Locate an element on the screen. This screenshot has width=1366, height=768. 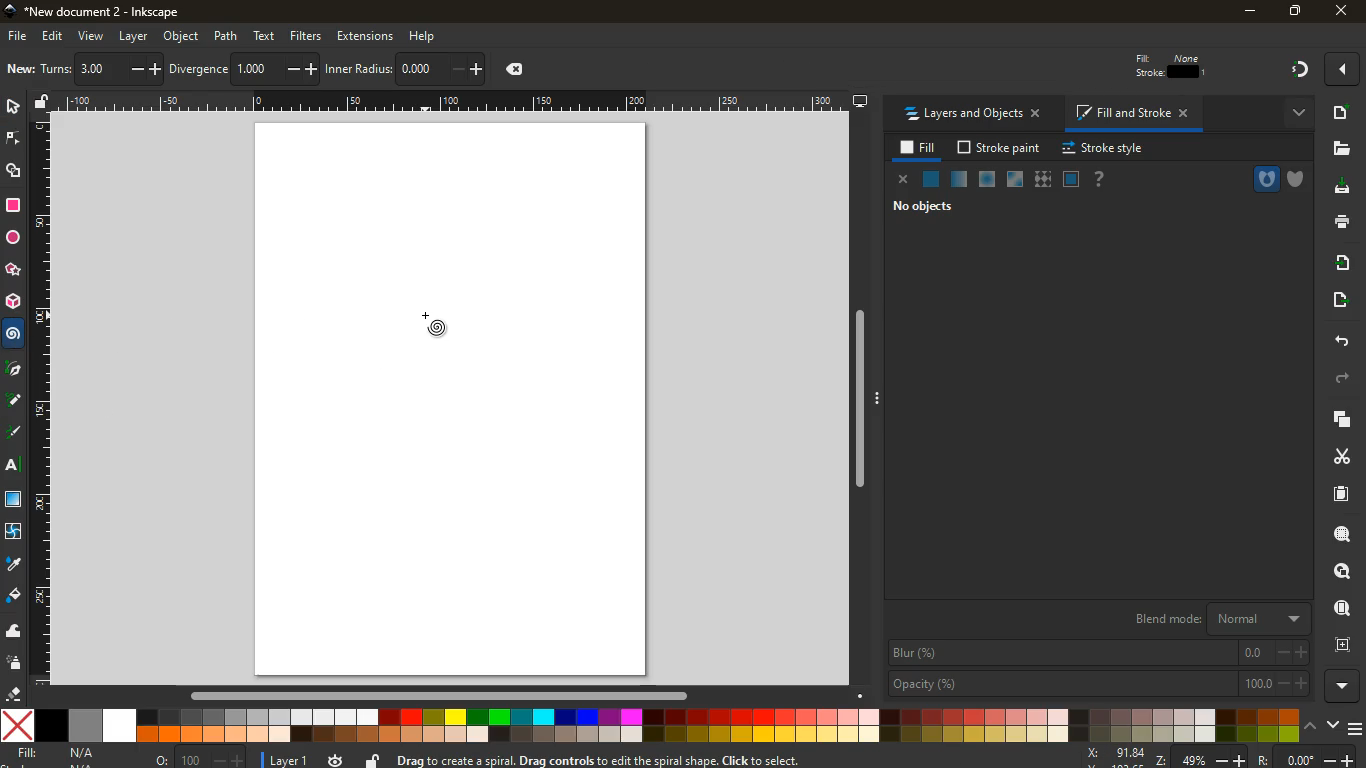
down is located at coordinates (1335, 726).